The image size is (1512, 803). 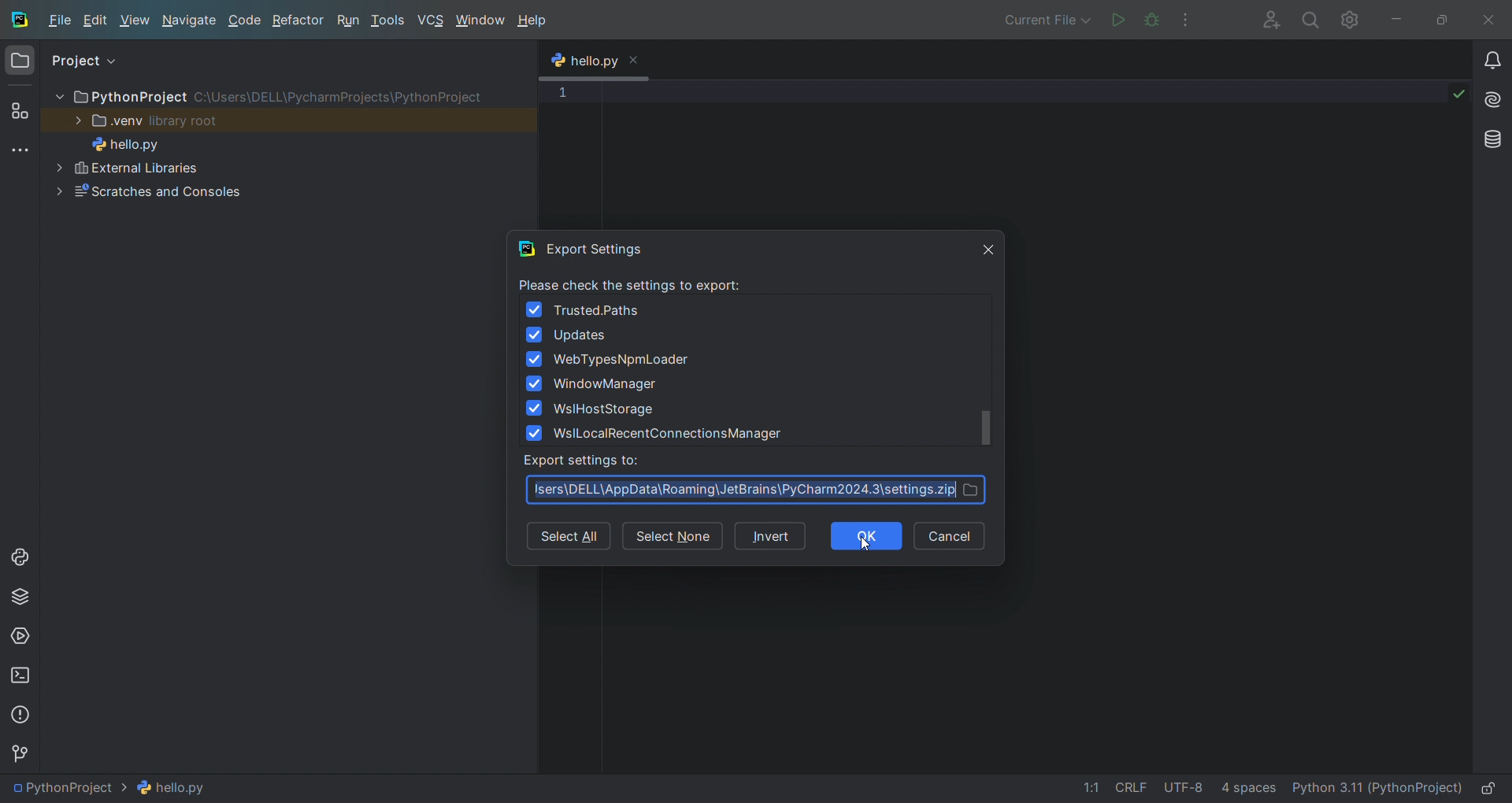 I want to click on WebTypesNpmLoader, so click(x=622, y=361).